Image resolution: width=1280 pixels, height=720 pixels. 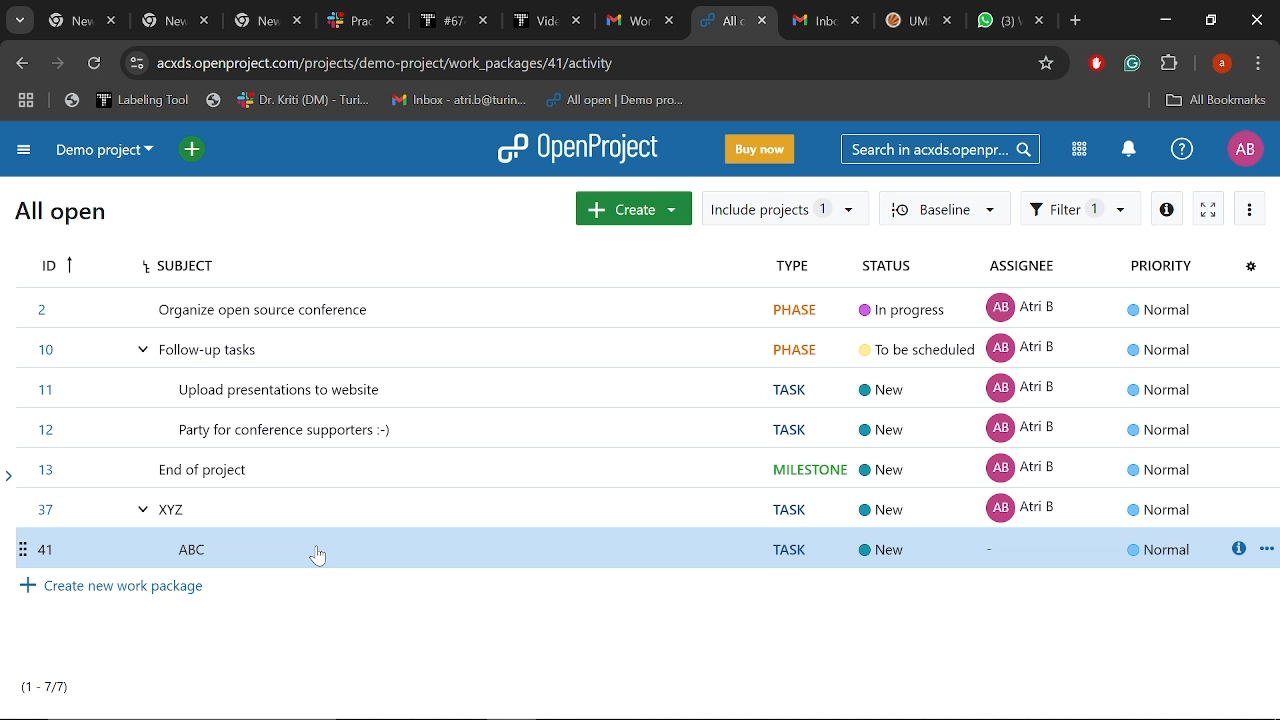 What do you see at coordinates (1209, 208) in the screenshot?
I see `Activate zen mode` at bounding box center [1209, 208].